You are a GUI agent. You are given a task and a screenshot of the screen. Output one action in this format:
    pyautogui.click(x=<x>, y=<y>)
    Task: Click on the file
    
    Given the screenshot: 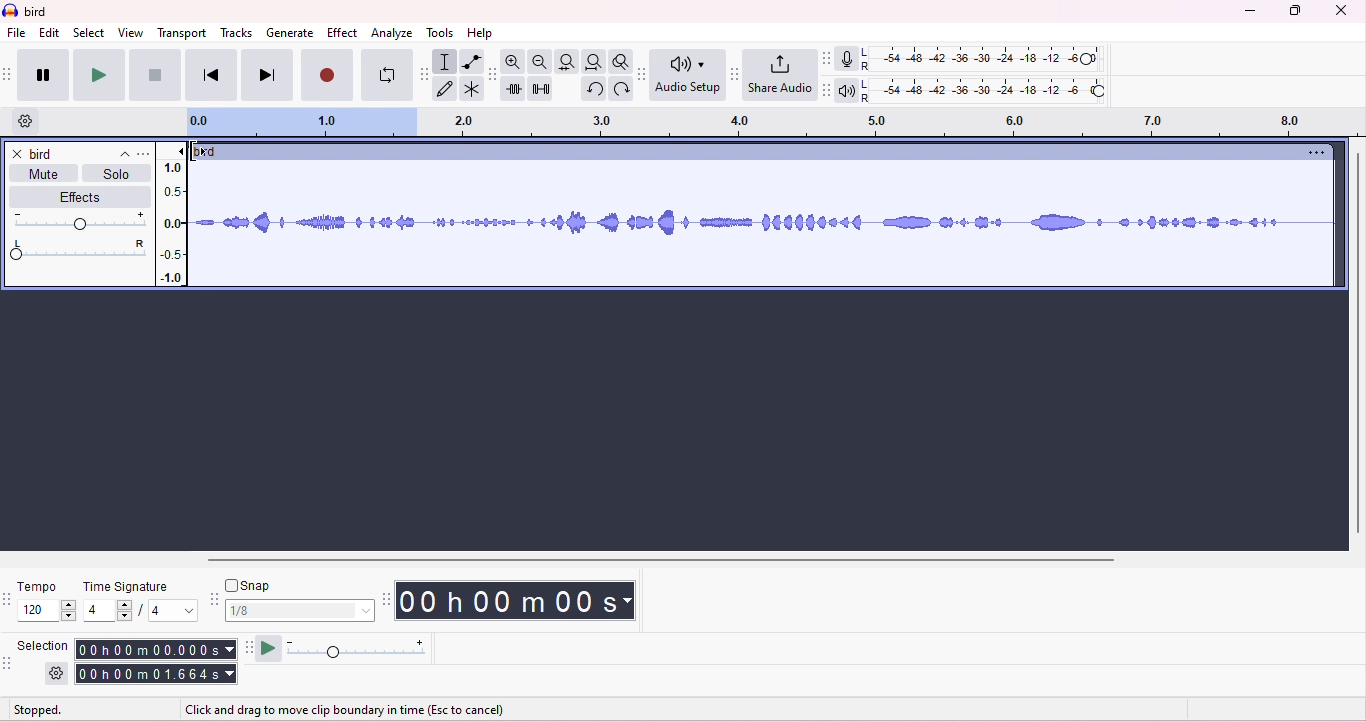 What is the action you would take?
    pyautogui.click(x=17, y=34)
    